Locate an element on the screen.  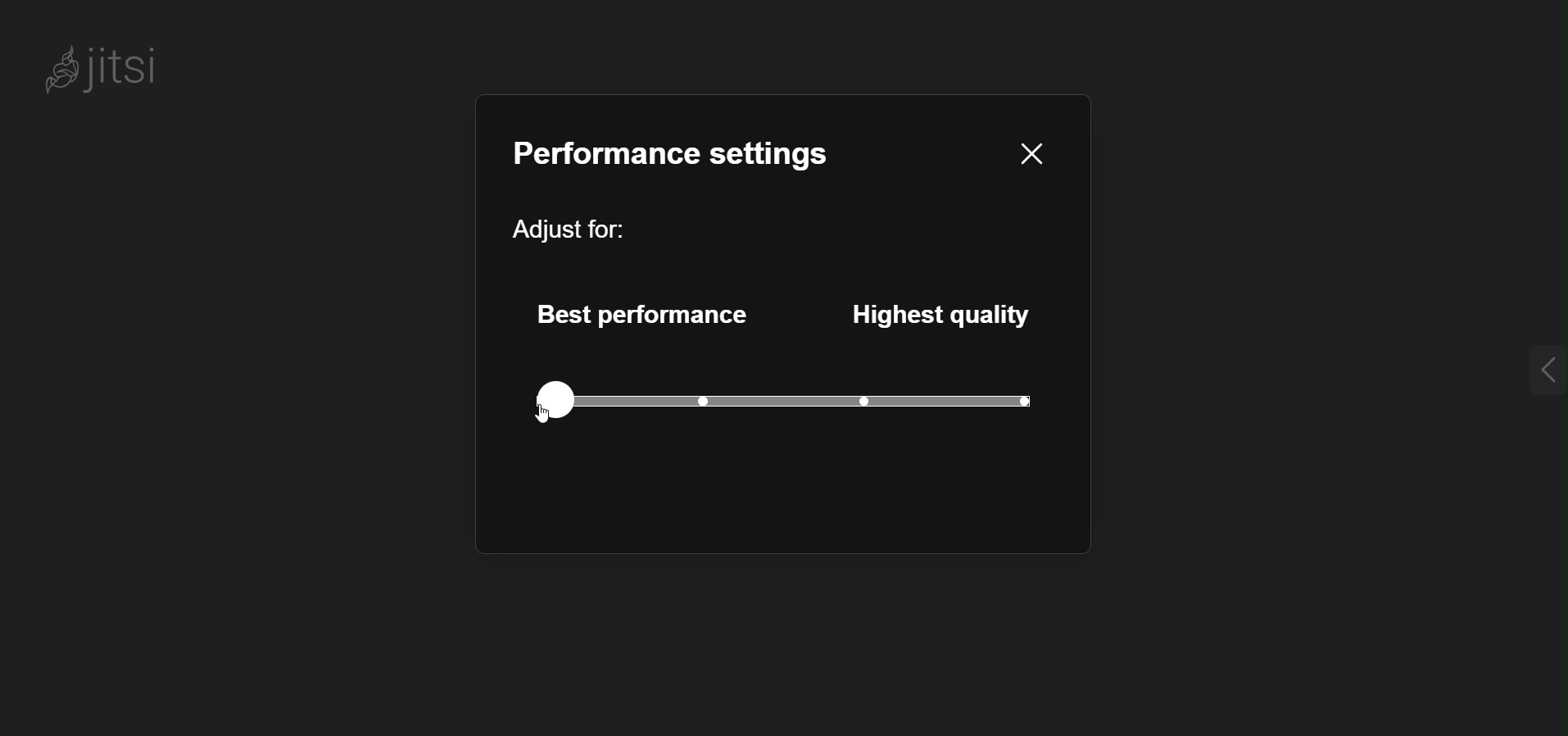
adjust for is located at coordinates (579, 229).